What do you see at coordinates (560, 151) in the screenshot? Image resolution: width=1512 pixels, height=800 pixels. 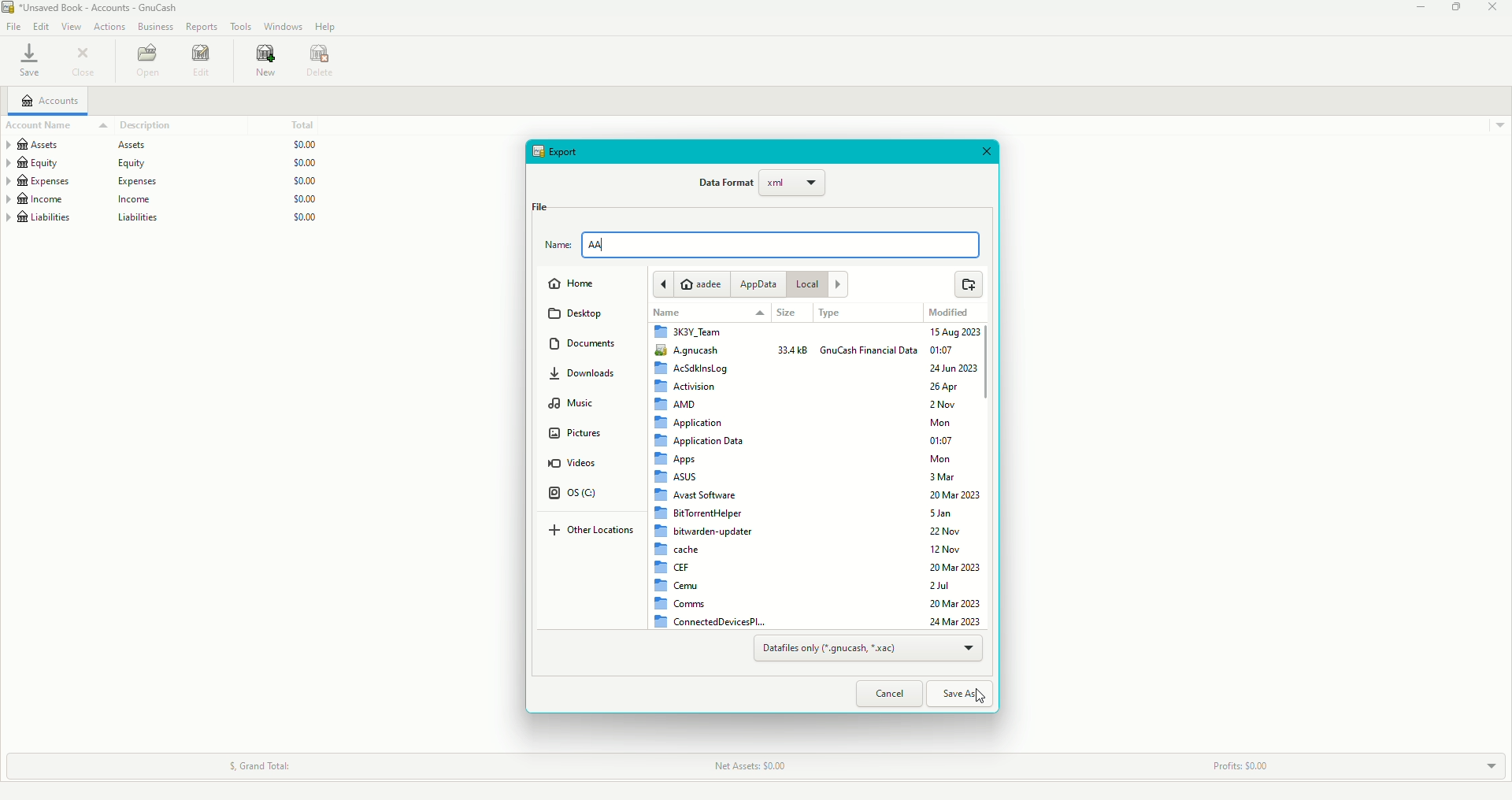 I see `Export` at bounding box center [560, 151].